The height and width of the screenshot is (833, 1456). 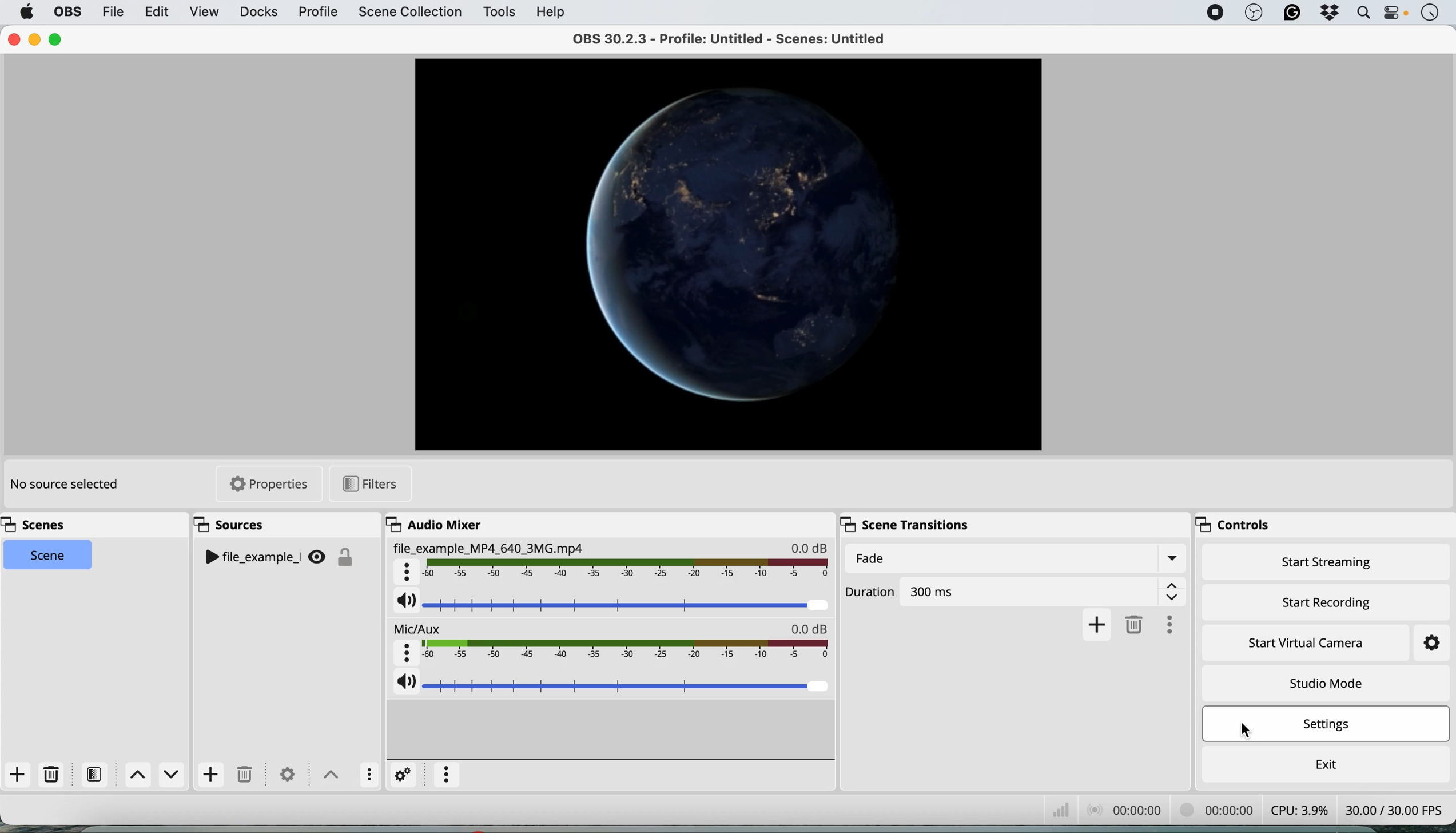 What do you see at coordinates (1395, 15) in the screenshot?
I see `control cener` at bounding box center [1395, 15].